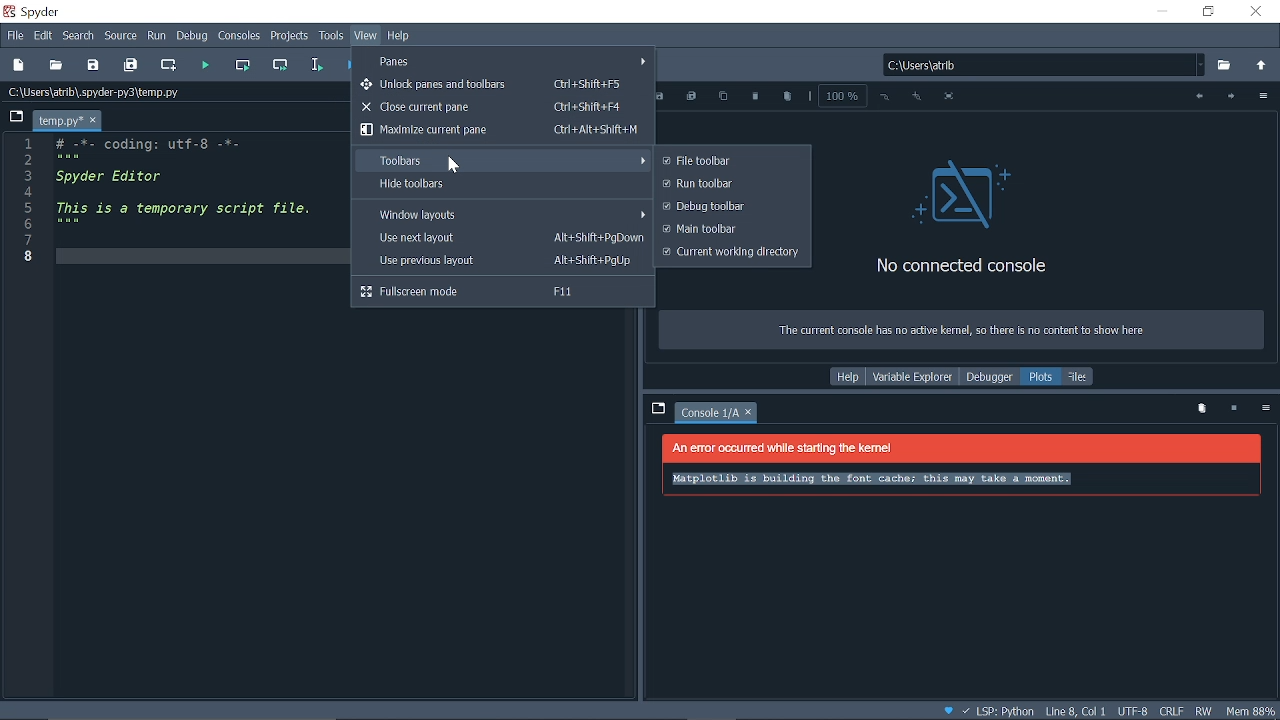 This screenshot has height=720, width=1280. I want to click on unlock panes and toolbars, so click(503, 84).